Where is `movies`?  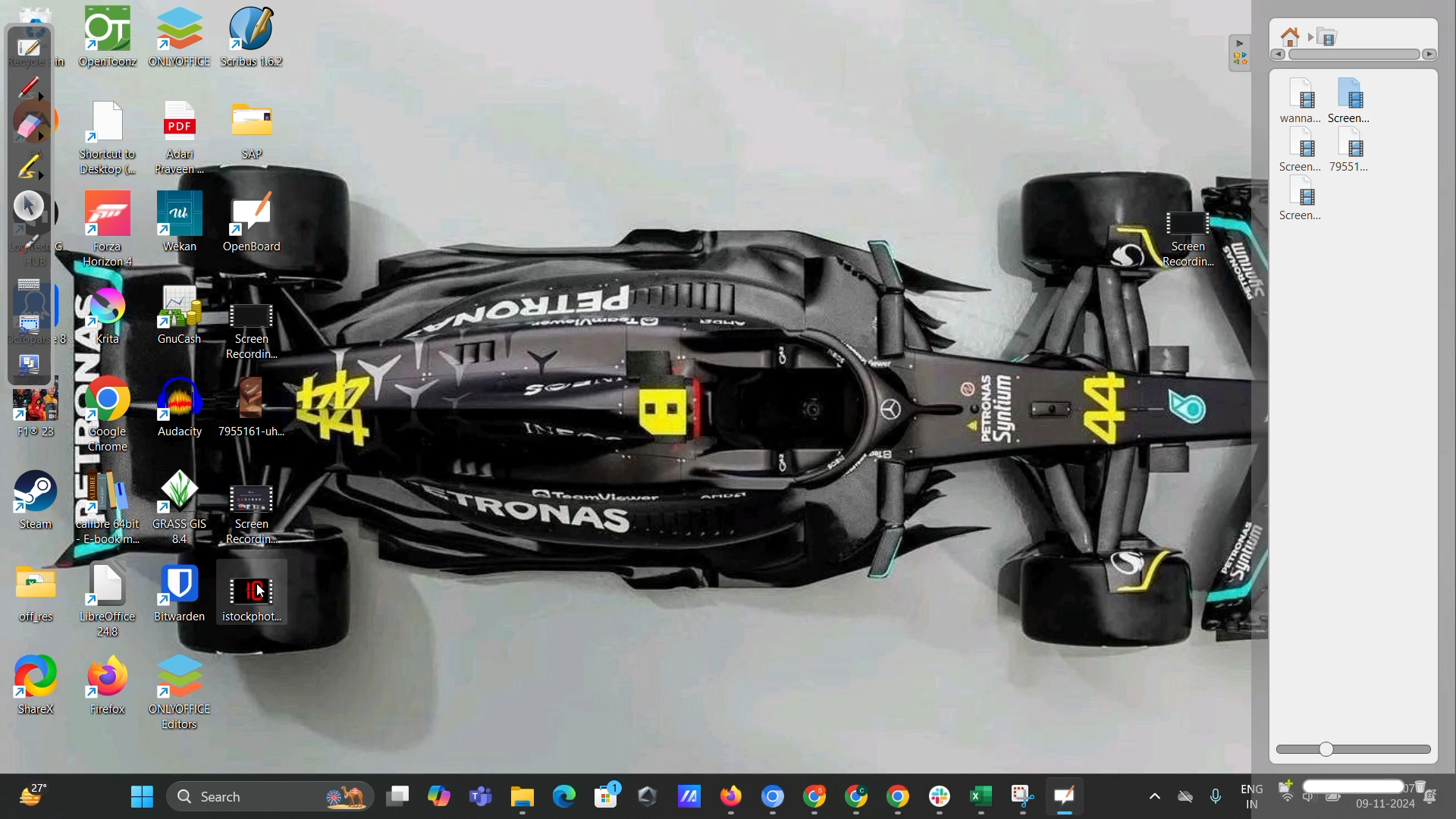 movies is located at coordinates (1327, 38).